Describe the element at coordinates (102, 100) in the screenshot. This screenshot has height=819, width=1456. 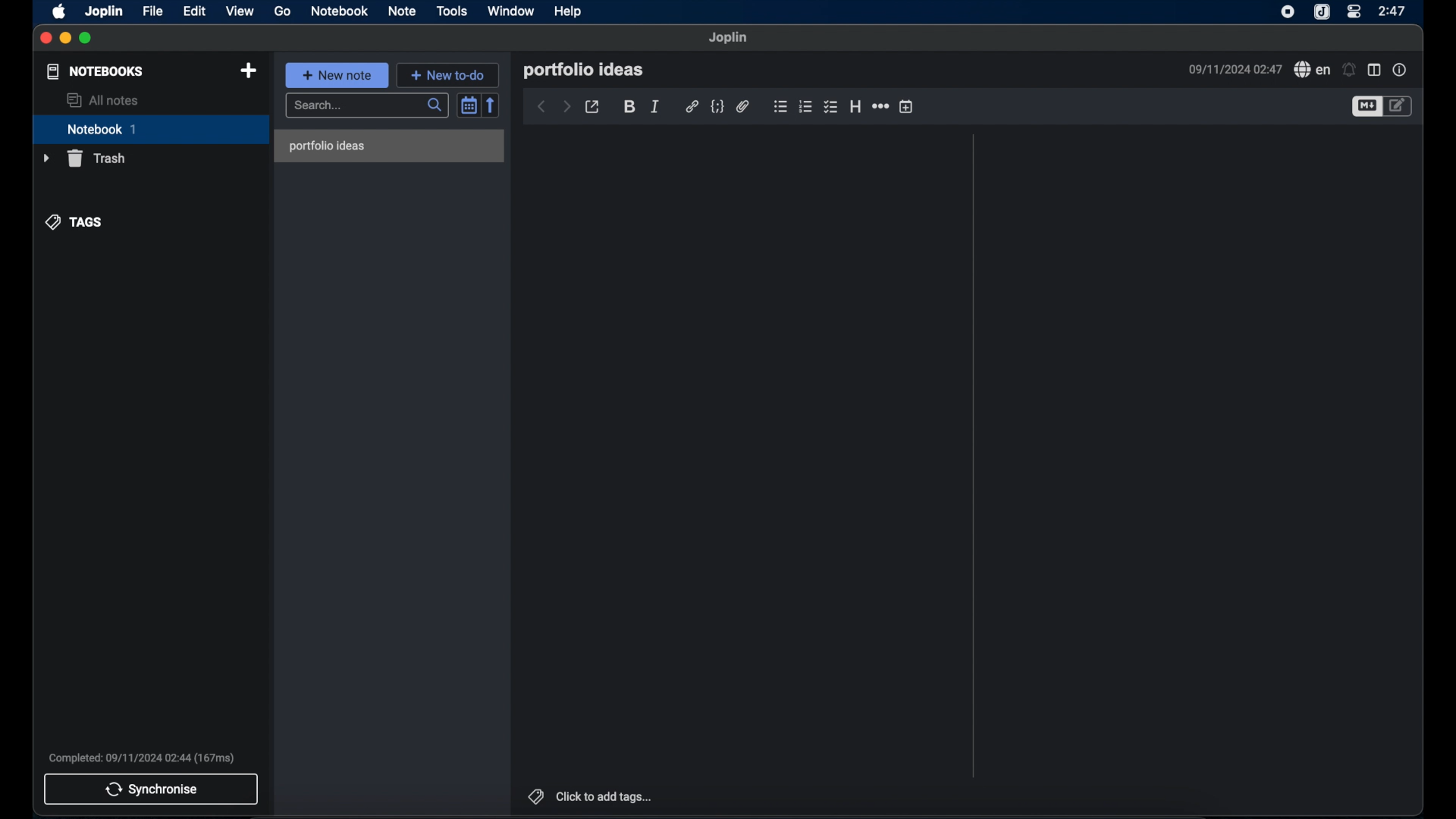
I see `all notes` at that location.